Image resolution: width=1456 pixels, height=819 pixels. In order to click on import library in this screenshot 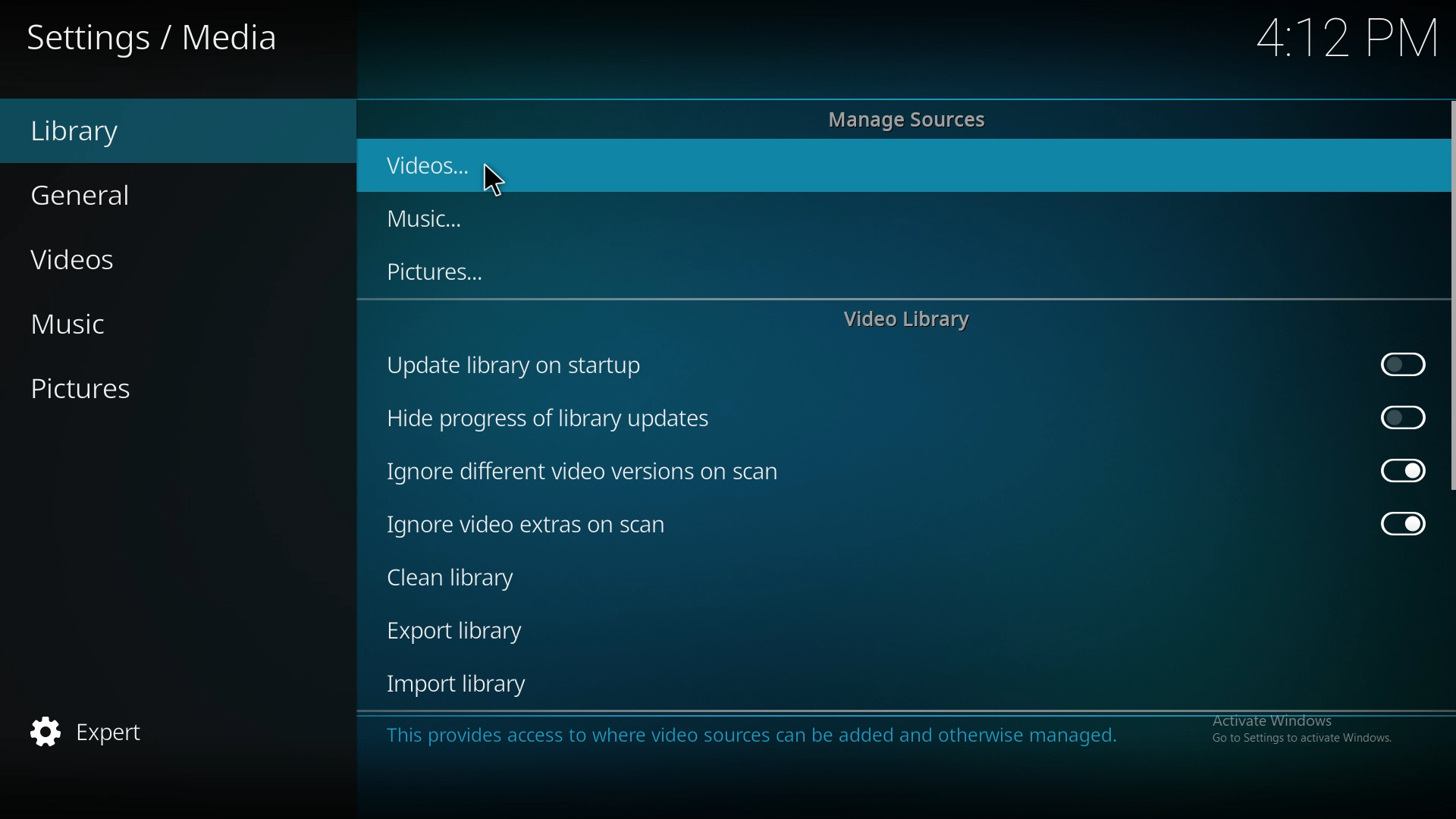, I will do `click(465, 683)`.